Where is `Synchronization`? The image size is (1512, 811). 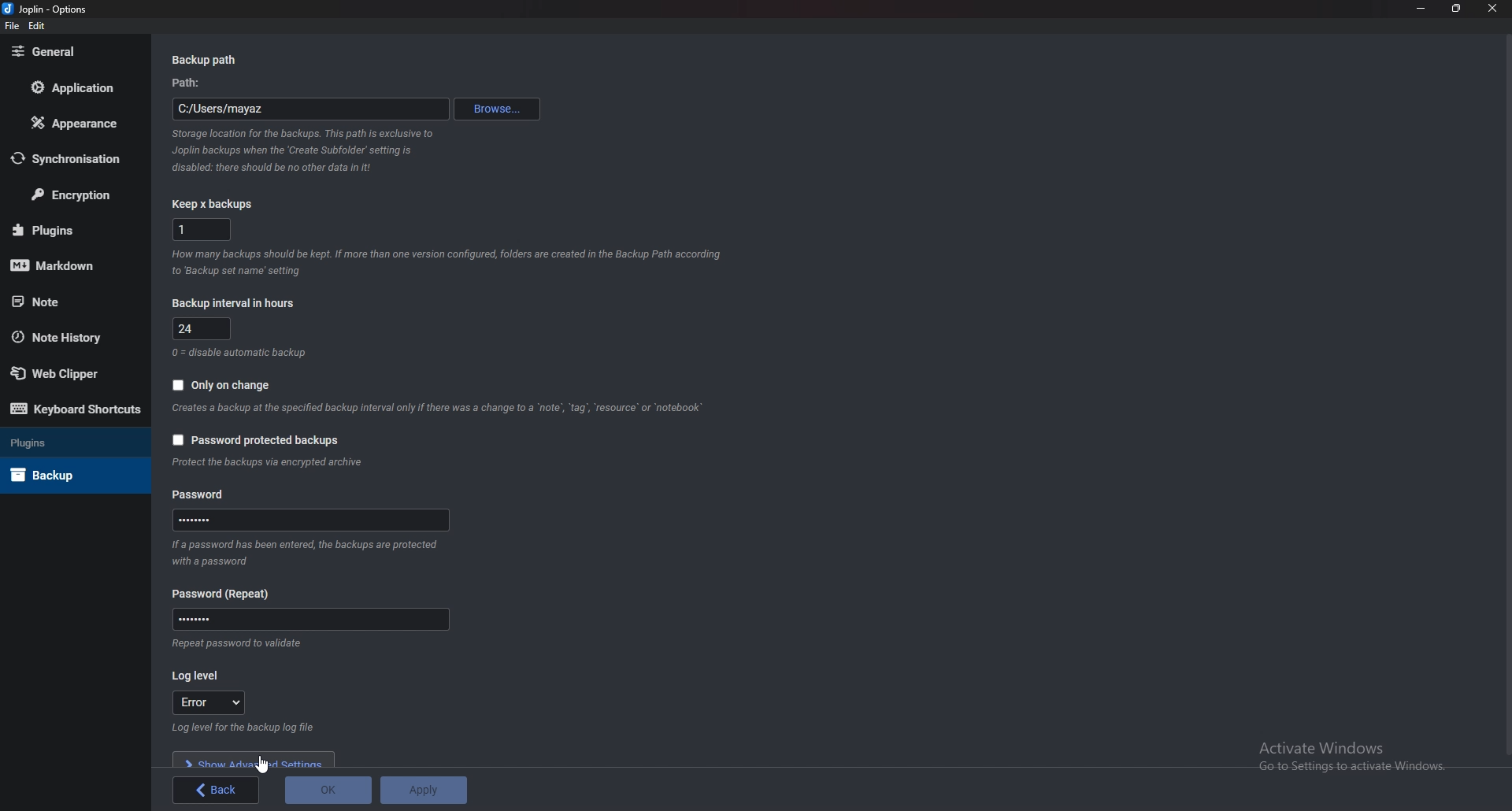 Synchronization is located at coordinates (76, 161).